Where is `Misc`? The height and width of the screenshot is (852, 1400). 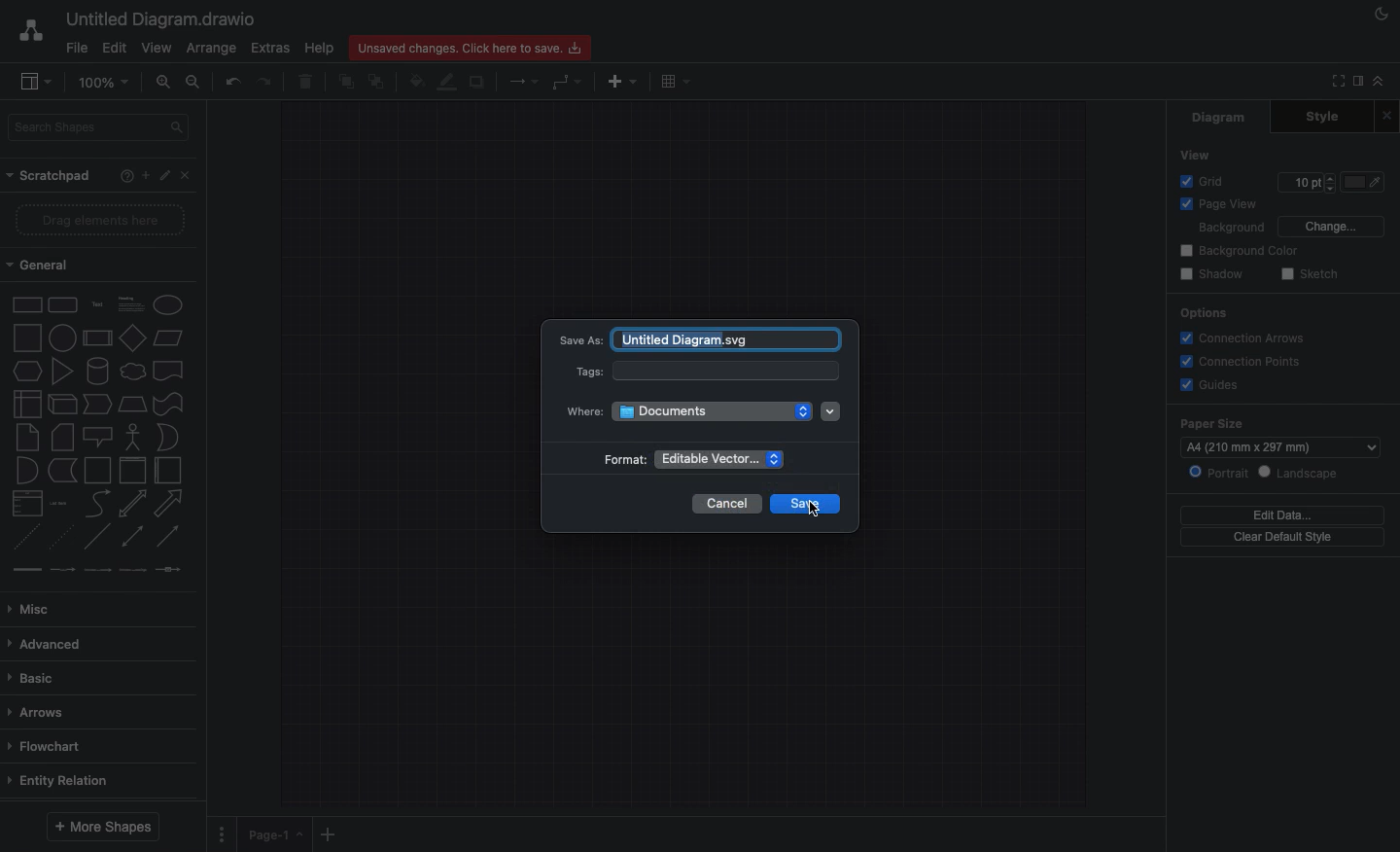
Misc is located at coordinates (40, 609).